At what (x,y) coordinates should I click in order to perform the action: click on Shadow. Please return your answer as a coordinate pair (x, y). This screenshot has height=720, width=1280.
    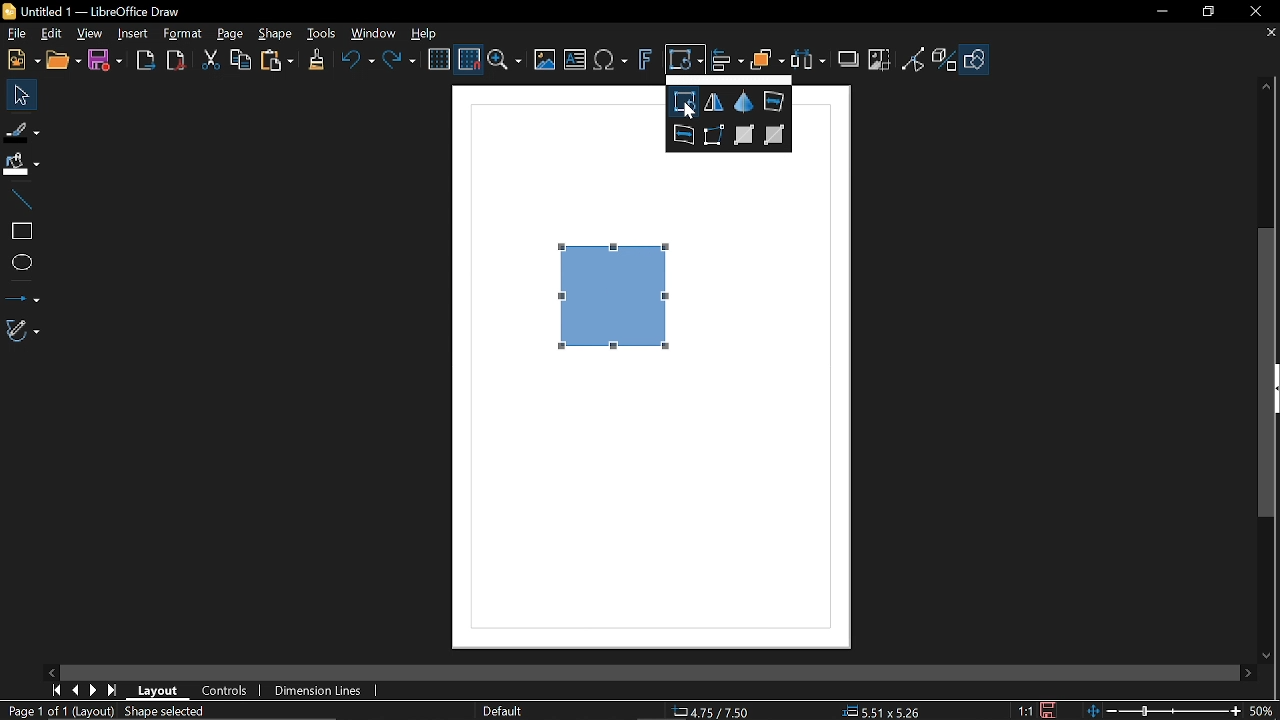
    Looking at the image, I should click on (846, 58).